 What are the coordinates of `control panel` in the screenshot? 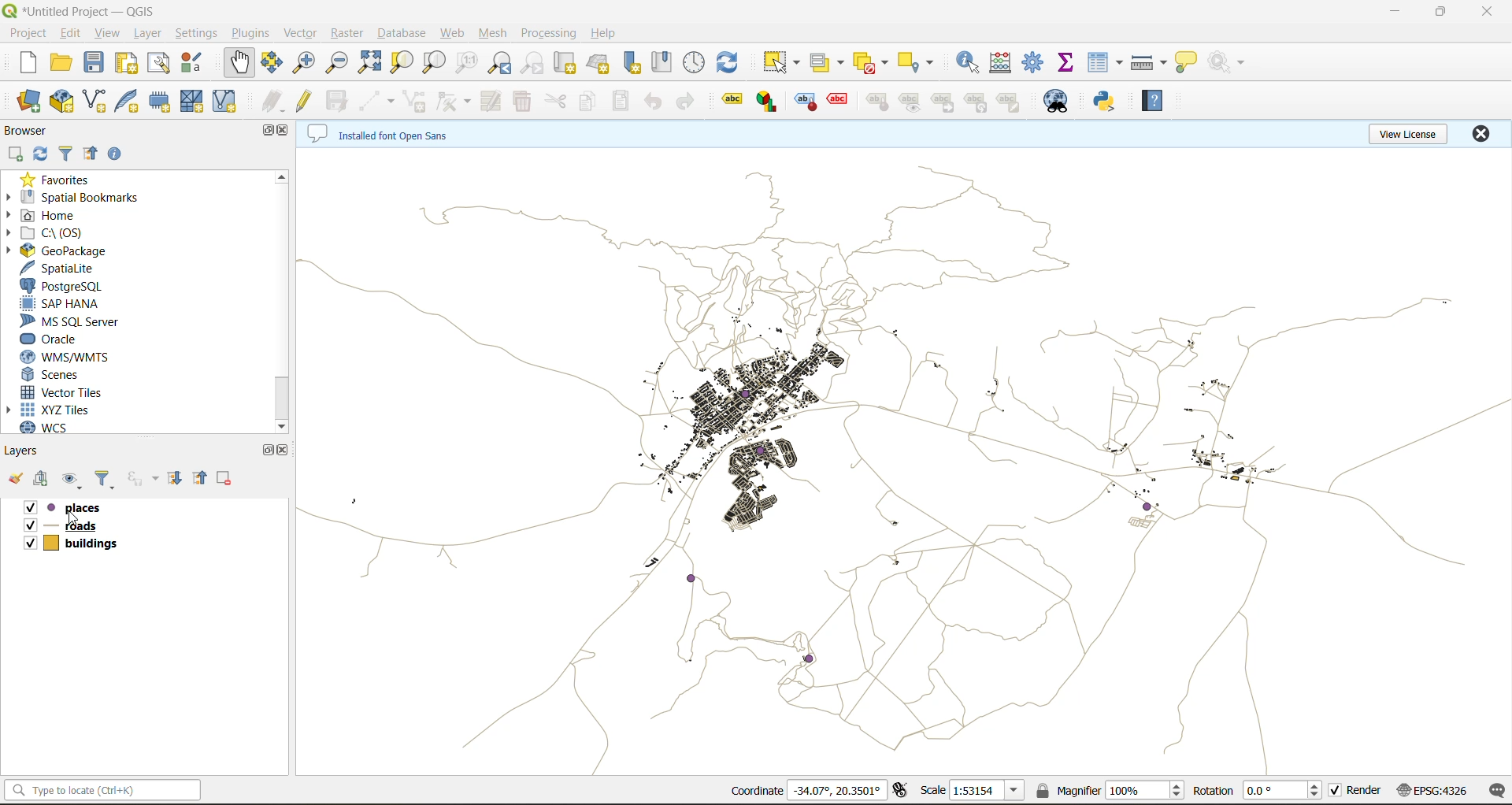 It's located at (698, 59).